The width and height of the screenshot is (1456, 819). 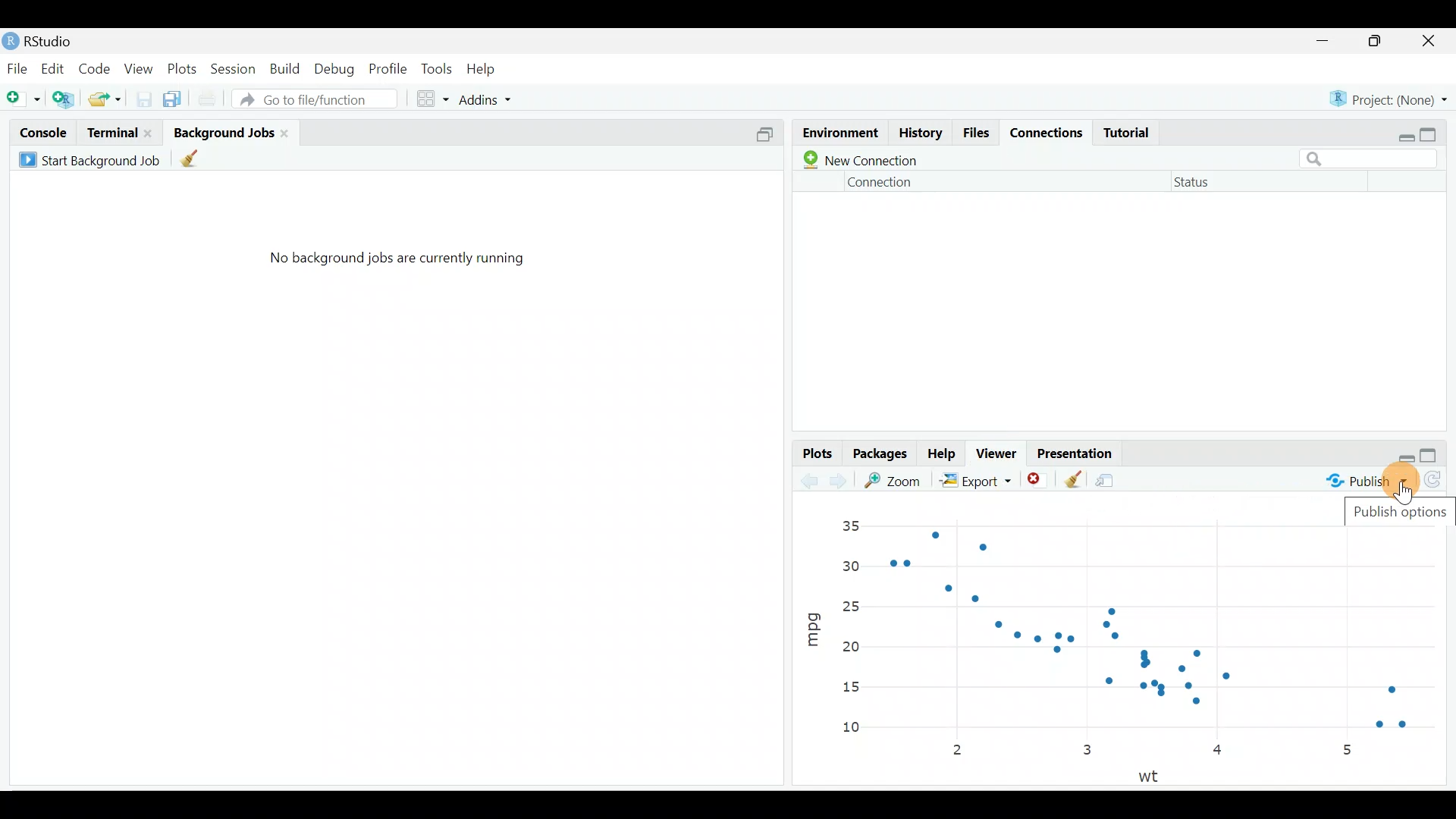 What do you see at coordinates (1111, 477) in the screenshot?
I see `show in new window` at bounding box center [1111, 477].